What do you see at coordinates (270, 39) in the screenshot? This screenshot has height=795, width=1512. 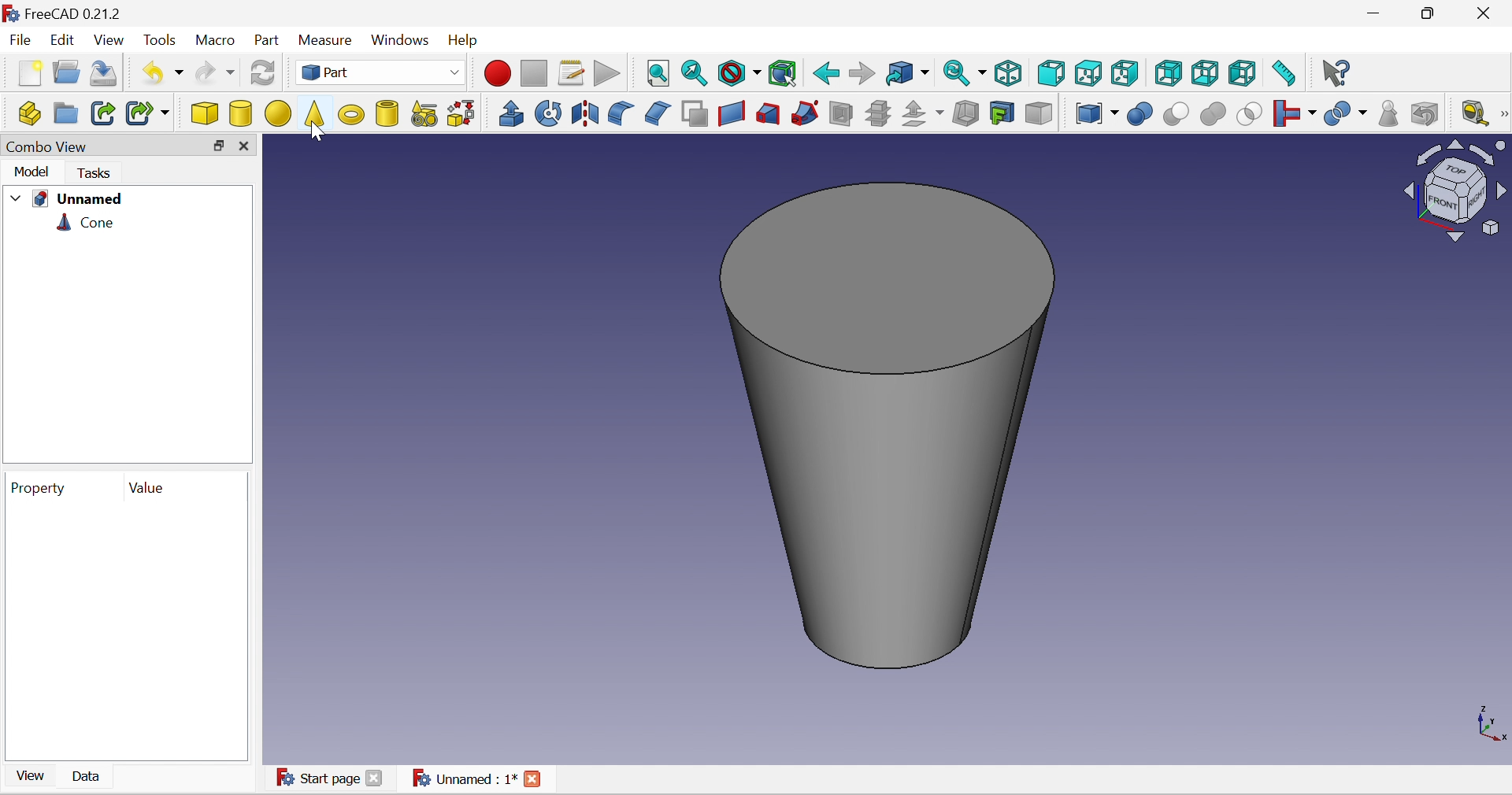 I see `Part` at bounding box center [270, 39].